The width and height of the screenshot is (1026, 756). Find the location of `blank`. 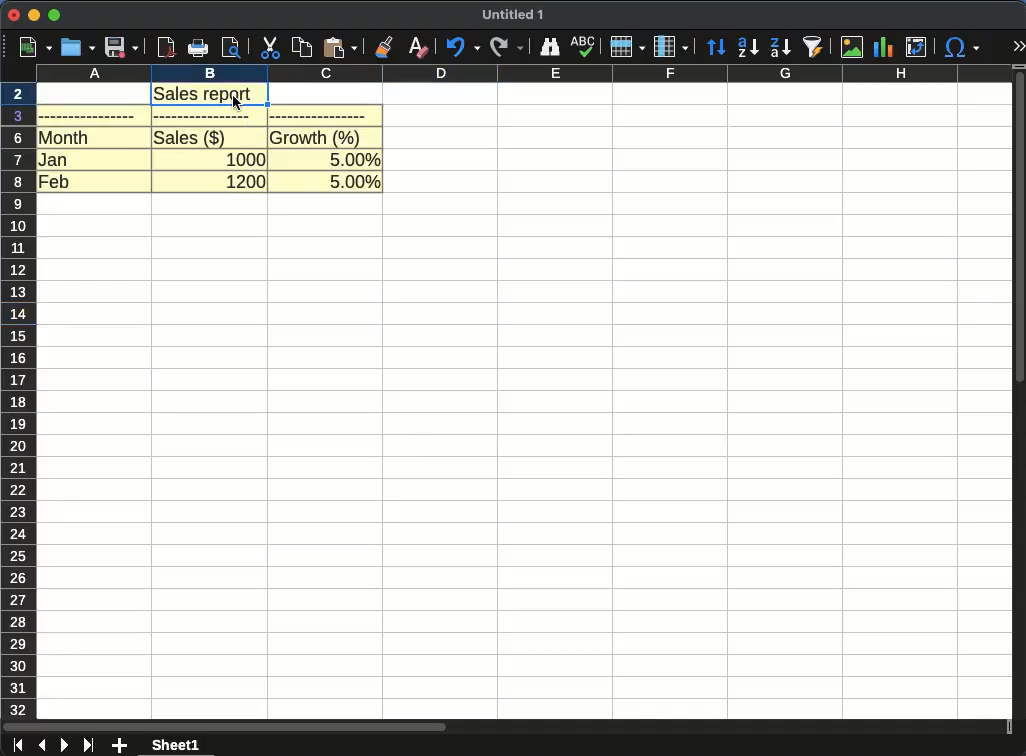

blank is located at coordinates (206, 117).